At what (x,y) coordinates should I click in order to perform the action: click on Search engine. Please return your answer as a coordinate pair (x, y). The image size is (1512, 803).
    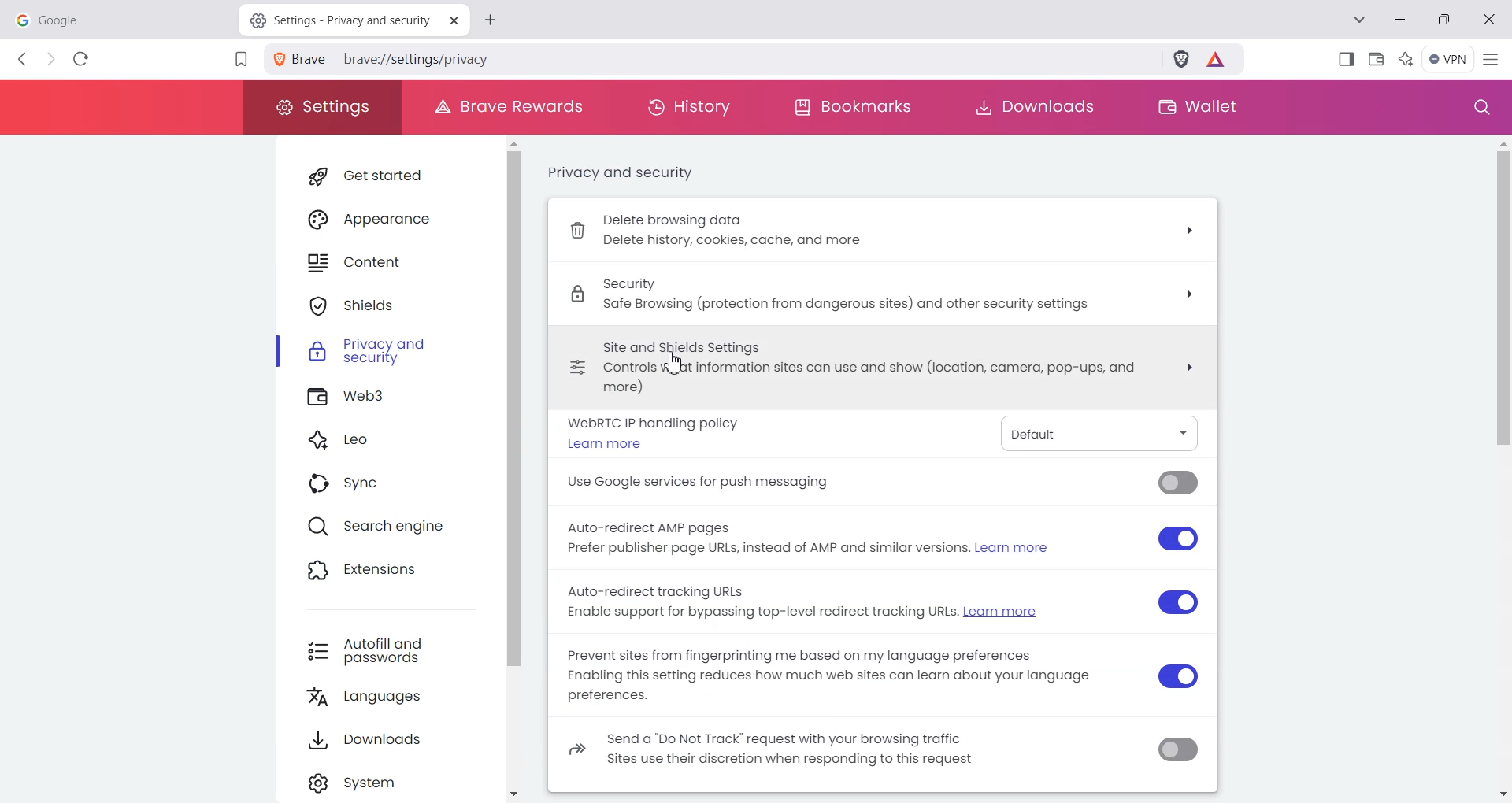
    Looking at the image, I should click on (388, 528).